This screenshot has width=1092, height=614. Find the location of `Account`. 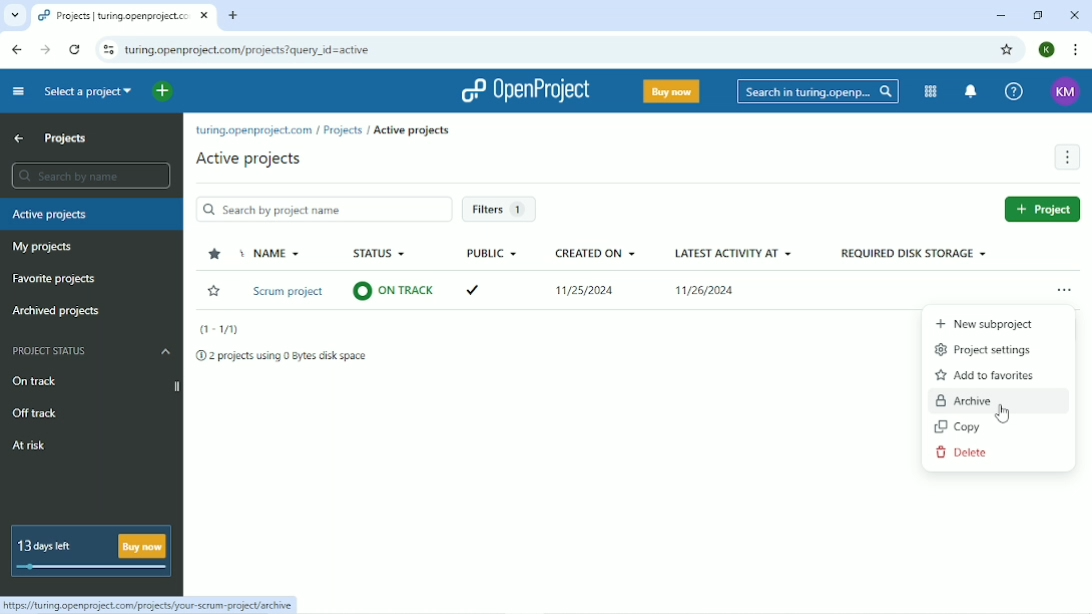

Account is located at coordinates (1046, 50).